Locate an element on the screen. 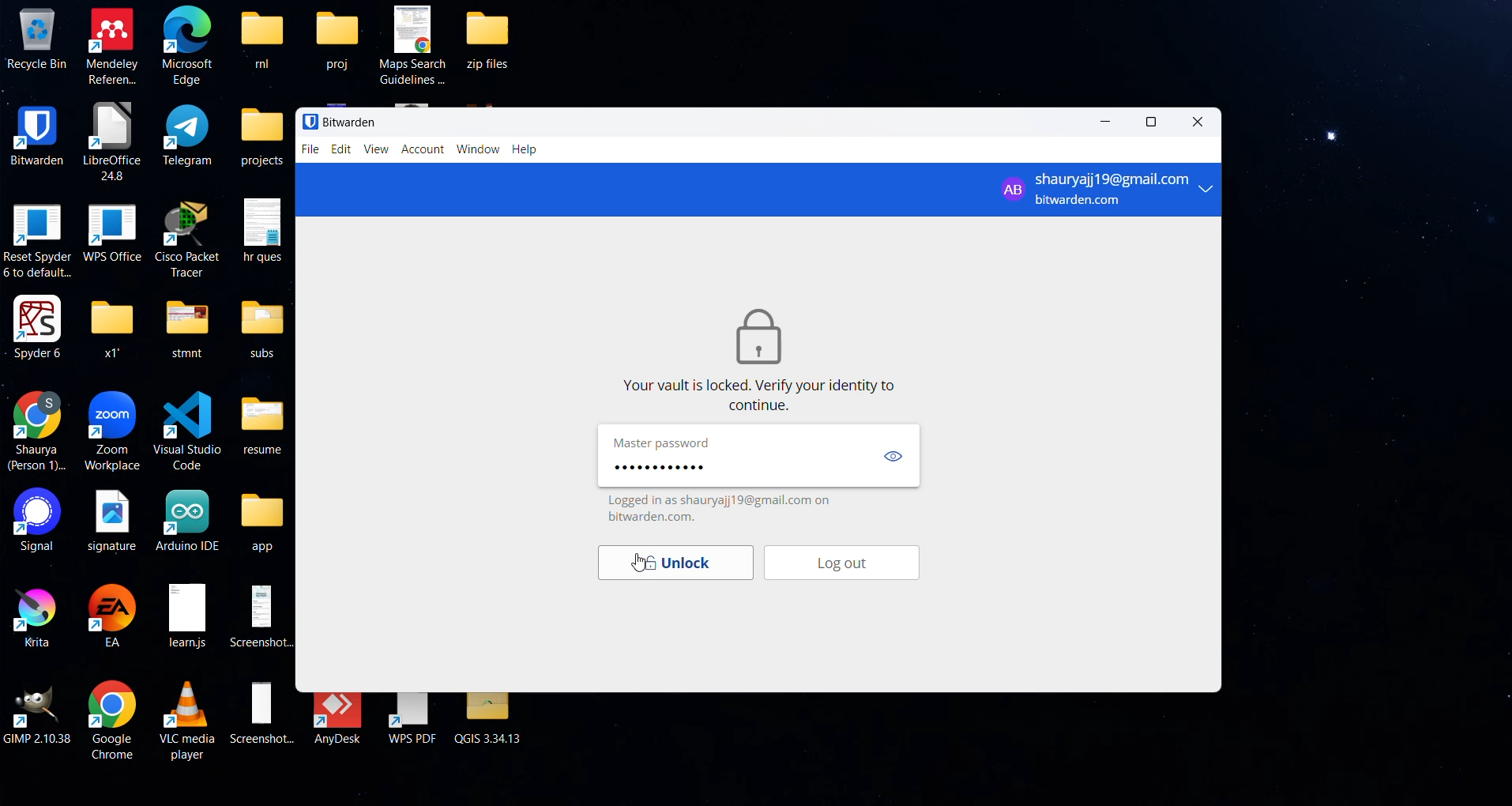 The height and width of the screenshot is (806, 1512). close is located at coordinates (1193, 125).